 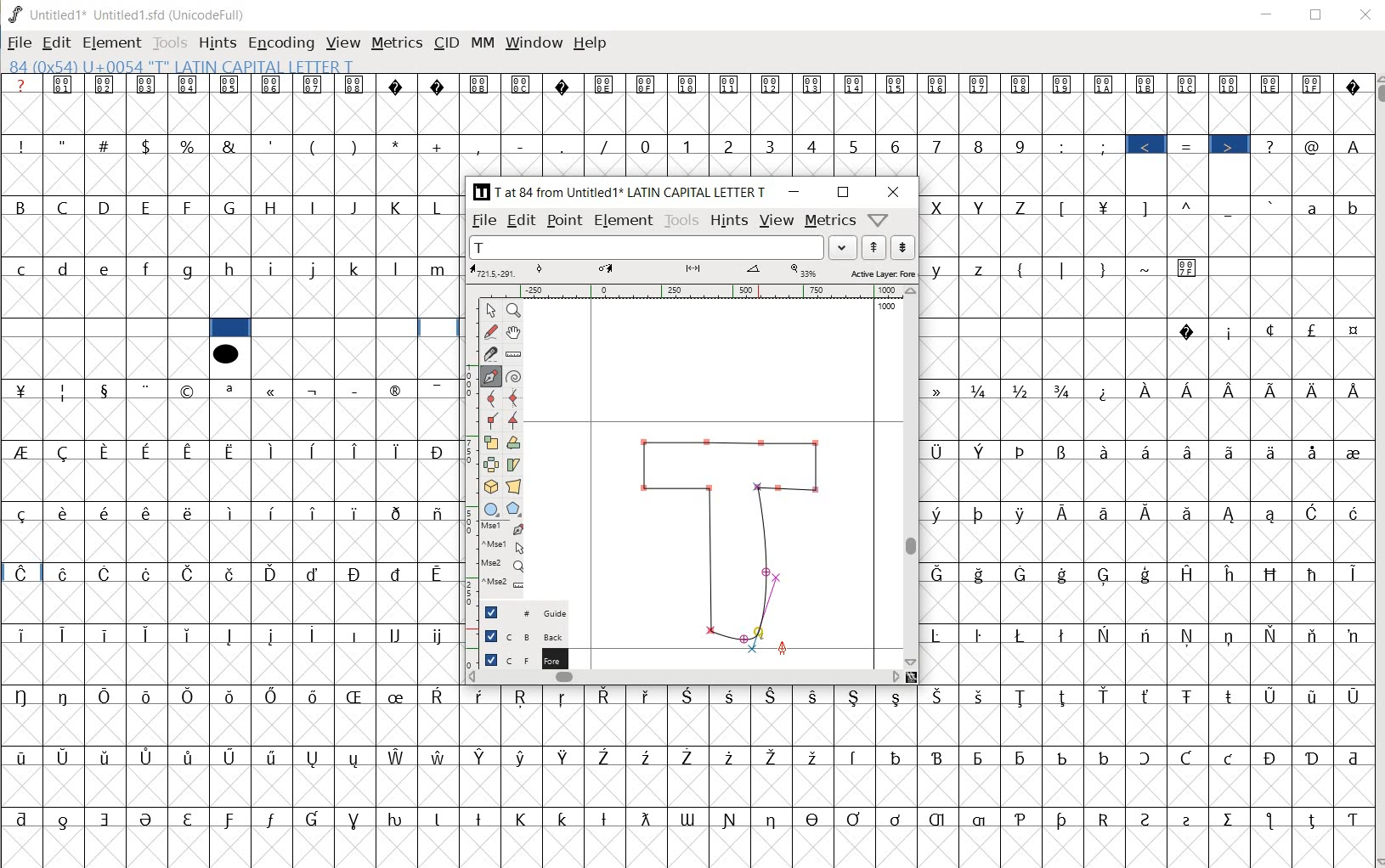 I want to click on k, so click(x=355, y=268).